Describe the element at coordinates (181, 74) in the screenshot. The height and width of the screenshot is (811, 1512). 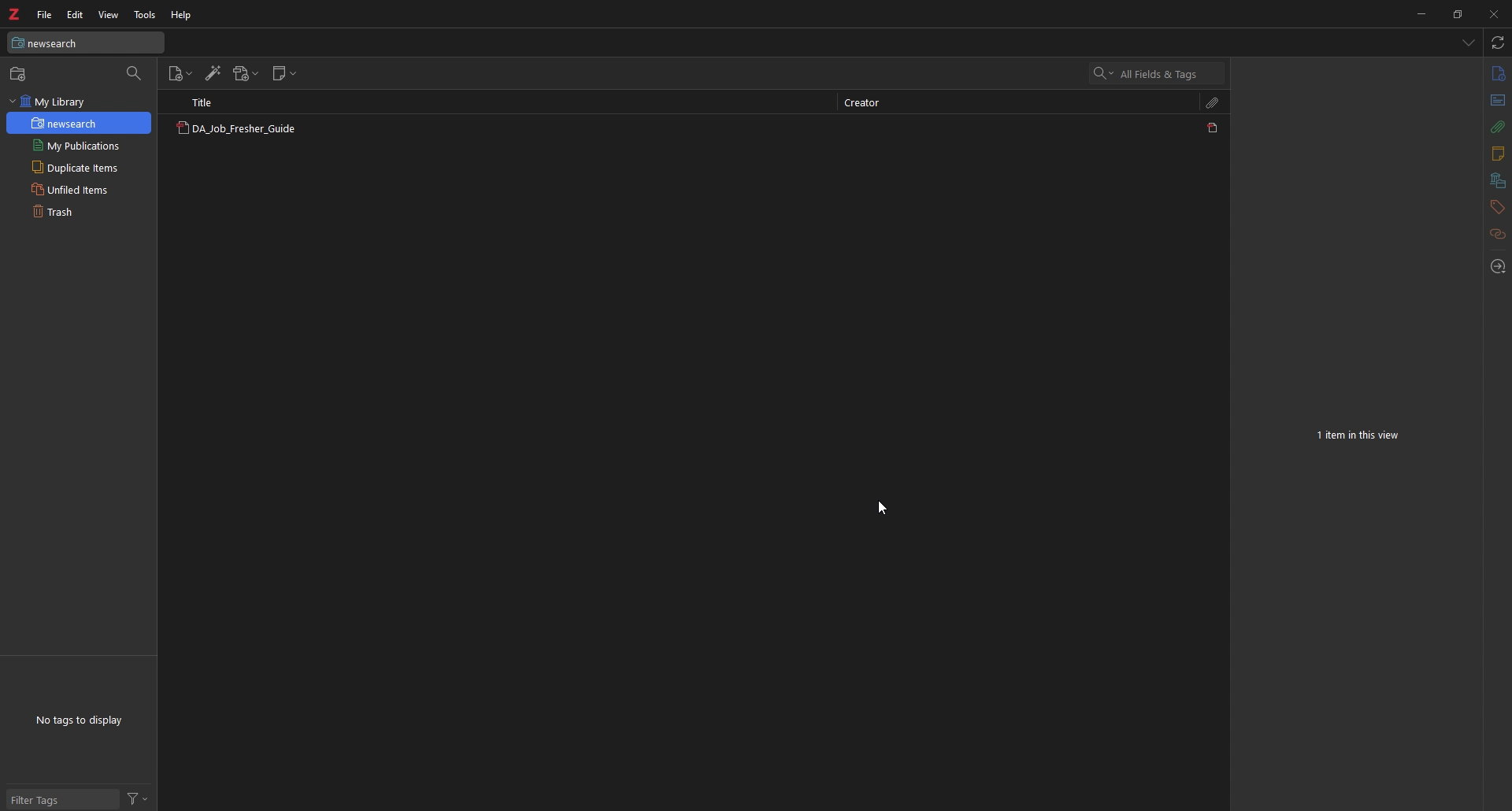
I see `new item` at that location.